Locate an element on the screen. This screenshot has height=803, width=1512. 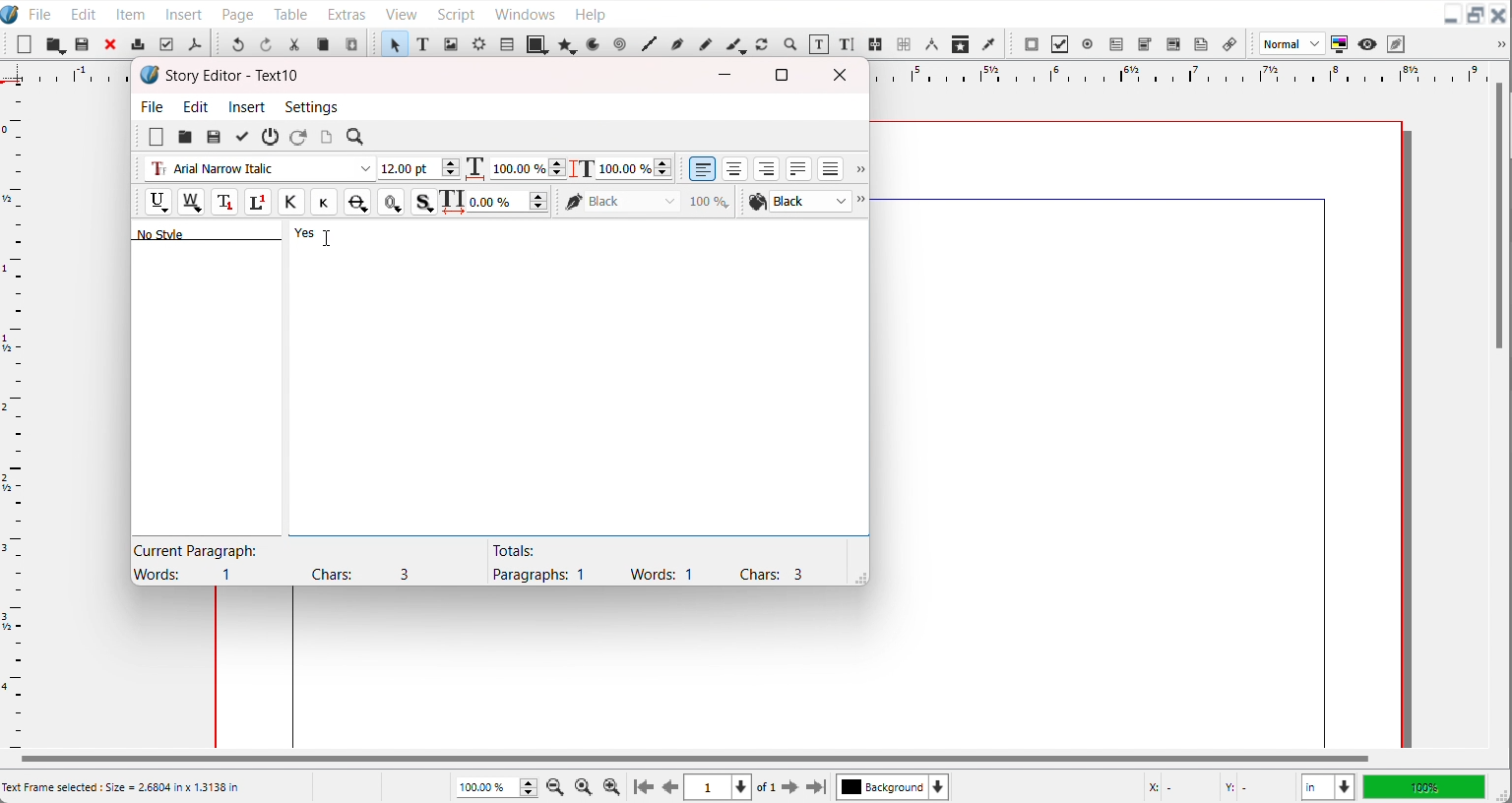
Text is located at coordinates (226, 232).